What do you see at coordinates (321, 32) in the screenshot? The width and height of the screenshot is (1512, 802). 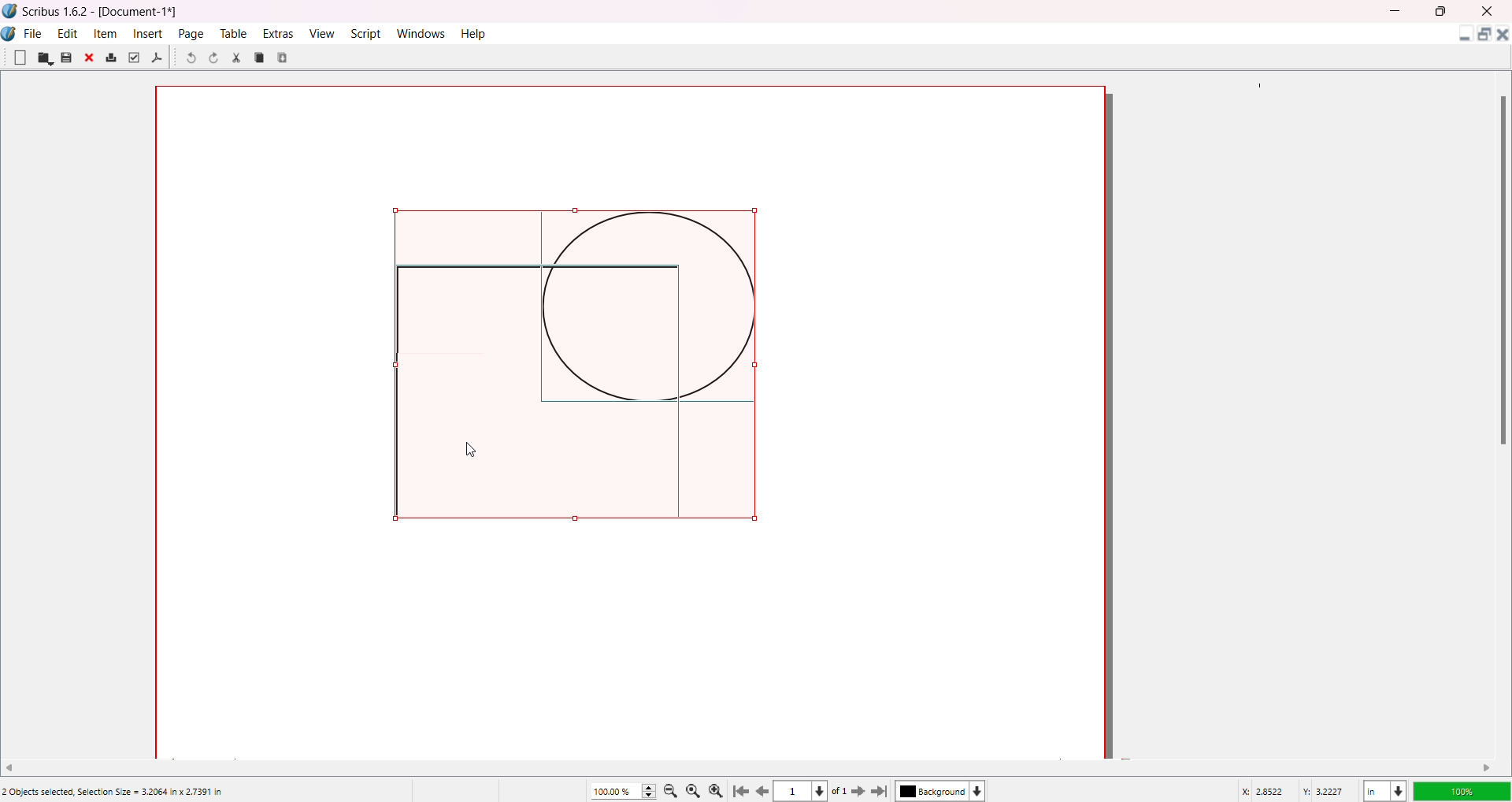 I see `View` at bounding box center [321, 32].